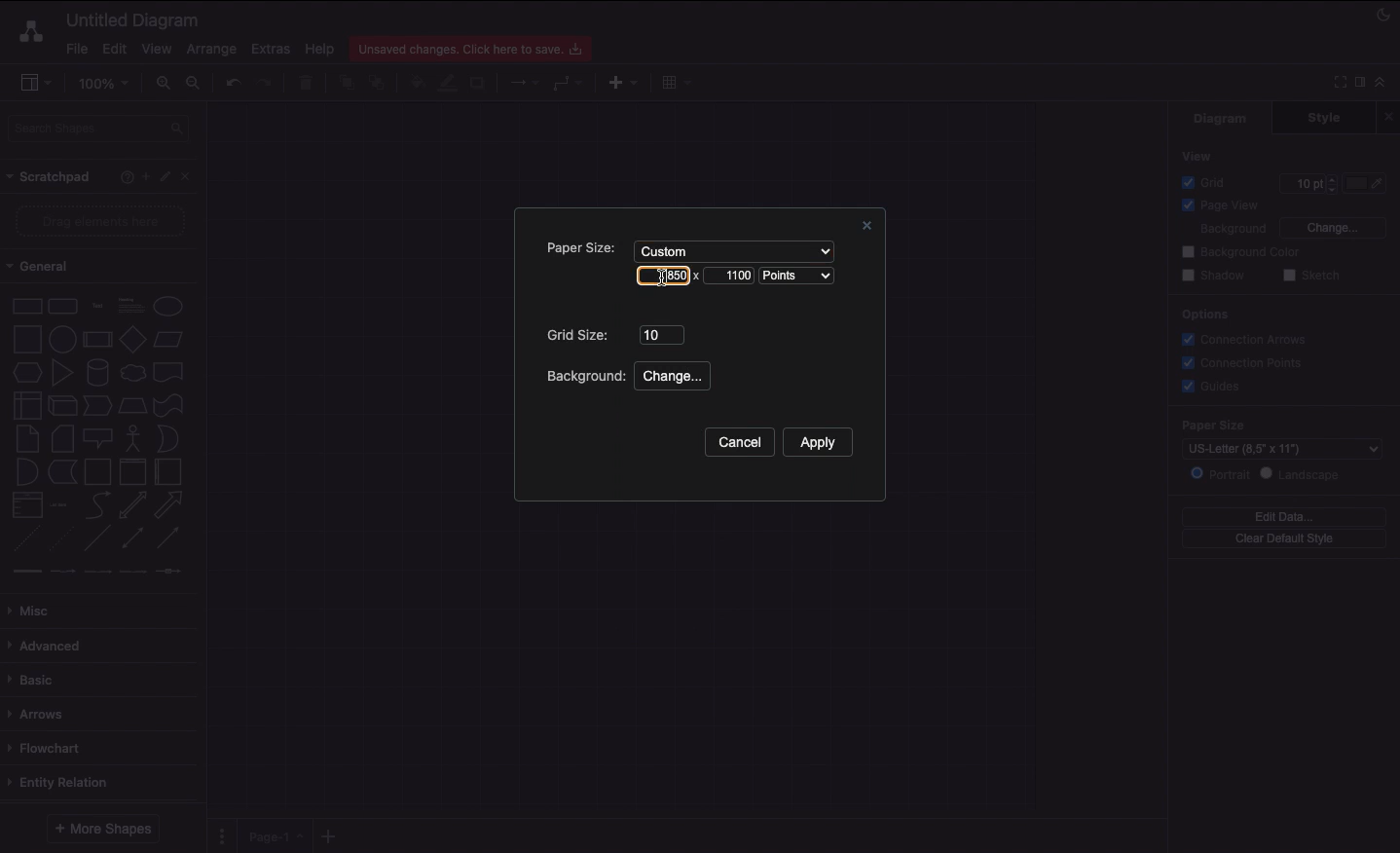 The height and width of the screenshot is (853, 1400). What do you see at coordinates (1213, 275) in the screenshot?
I see `Shadow` at bounding box center [1213, 275].